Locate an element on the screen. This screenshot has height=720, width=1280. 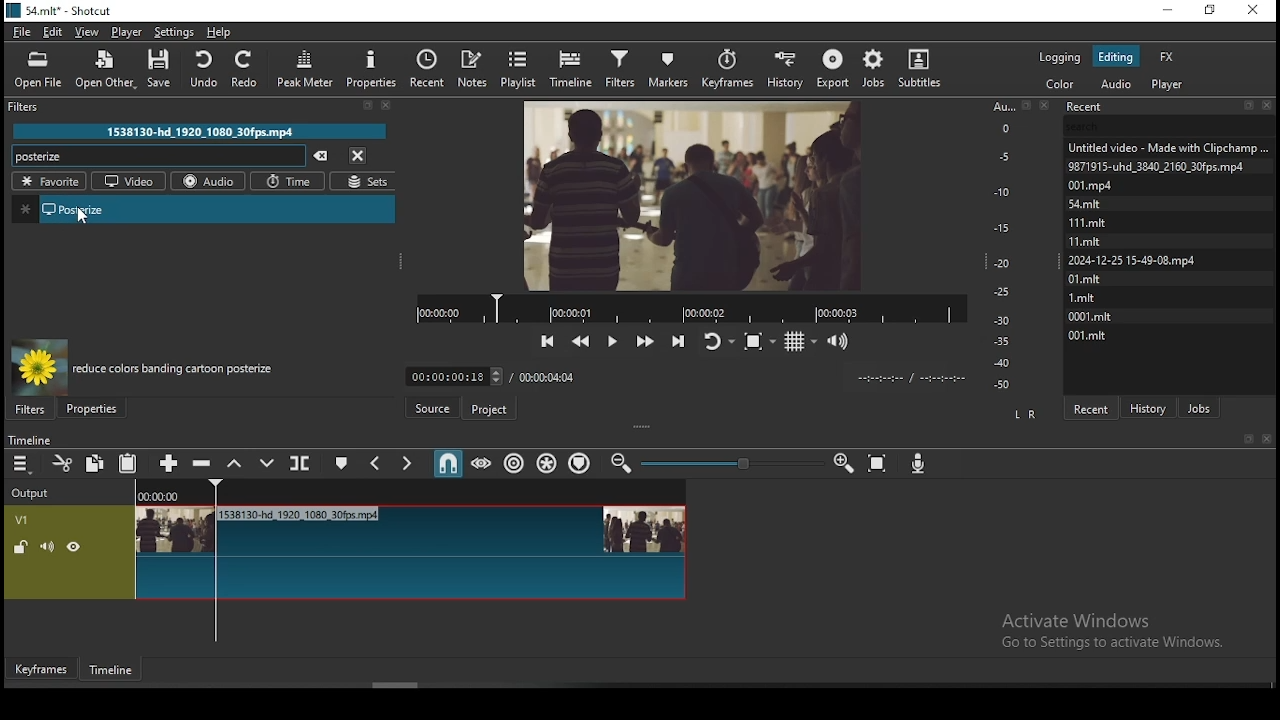
recent is located at coordinates (1170, 105).